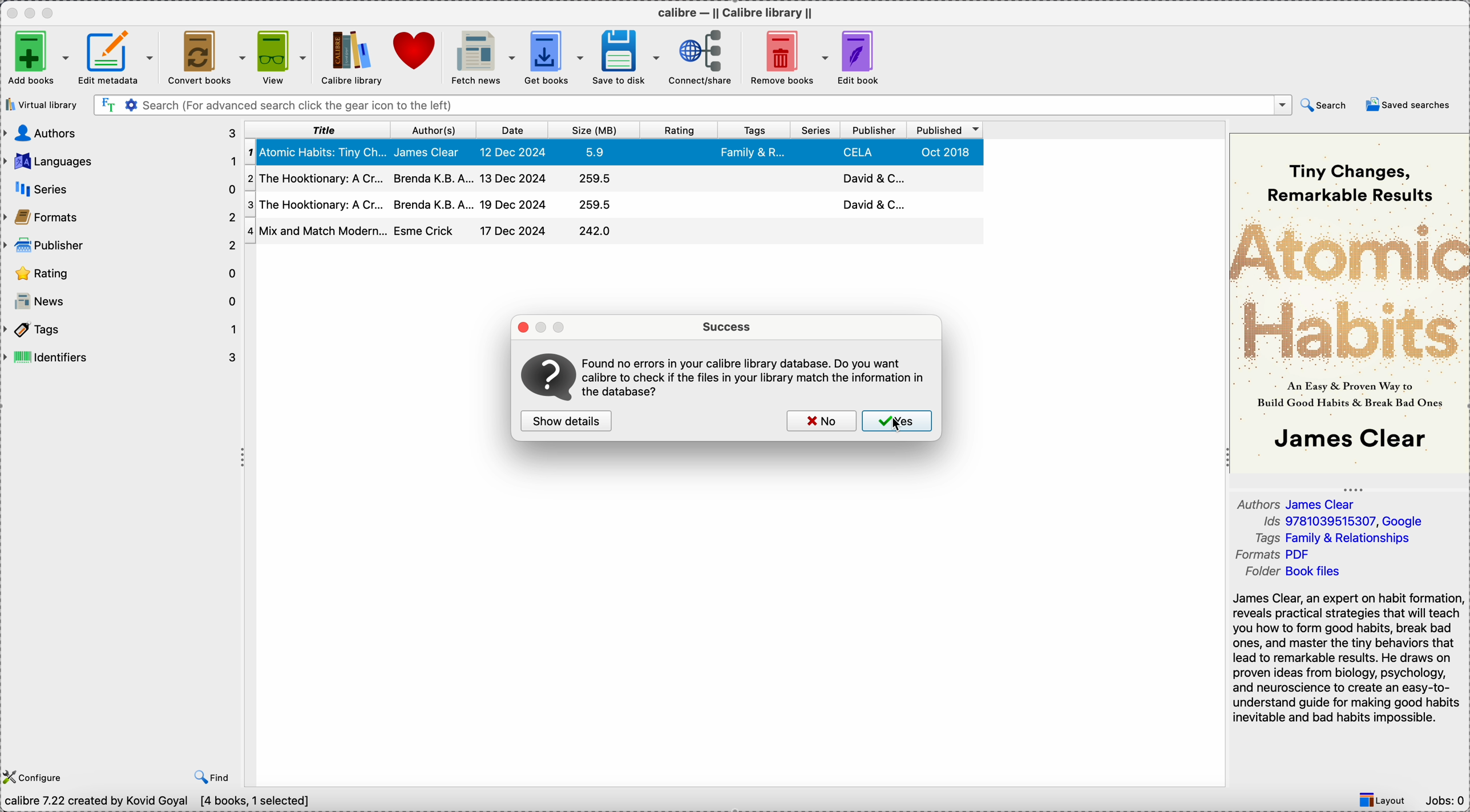 This screenshot has width=1470, height=812. What do you see at coordinates (615, 154) in the screenshot?
I see `first book` at bounding box center [615, 154].